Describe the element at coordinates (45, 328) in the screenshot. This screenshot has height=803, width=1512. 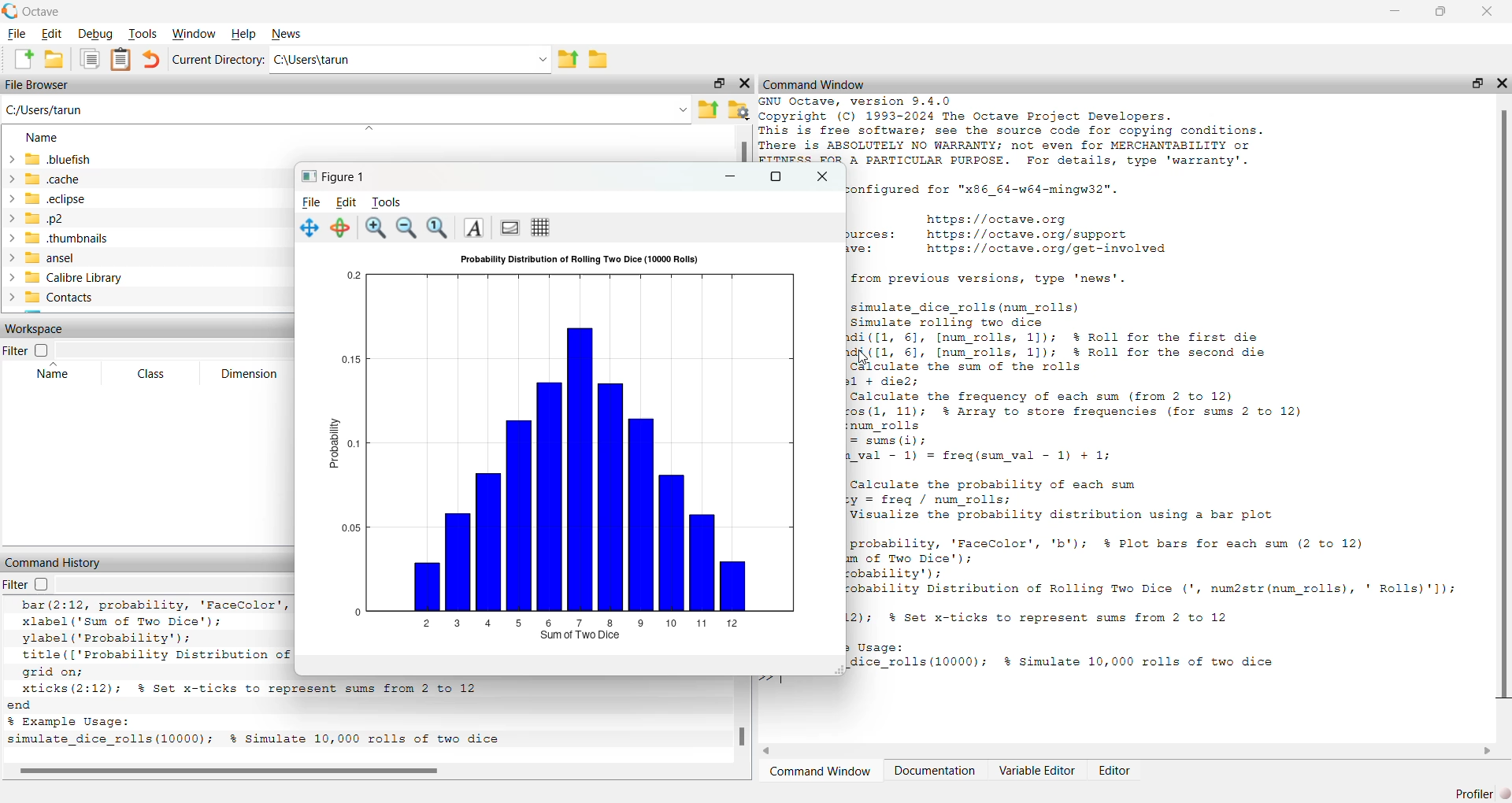
I see `Workspace` at that location.